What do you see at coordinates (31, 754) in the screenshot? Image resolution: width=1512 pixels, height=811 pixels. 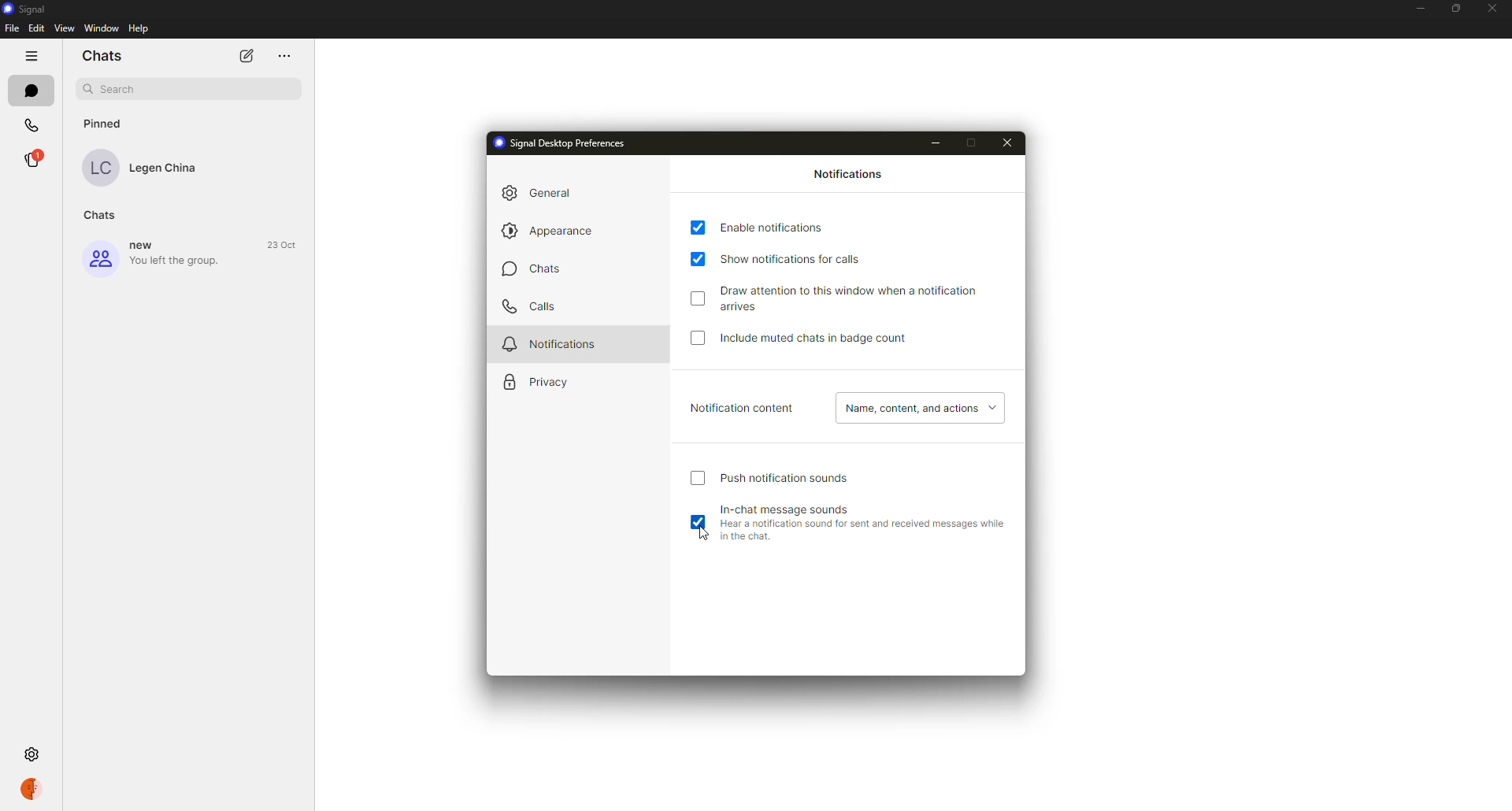 I see `clicking on settings` at bounding box center [31, 754].